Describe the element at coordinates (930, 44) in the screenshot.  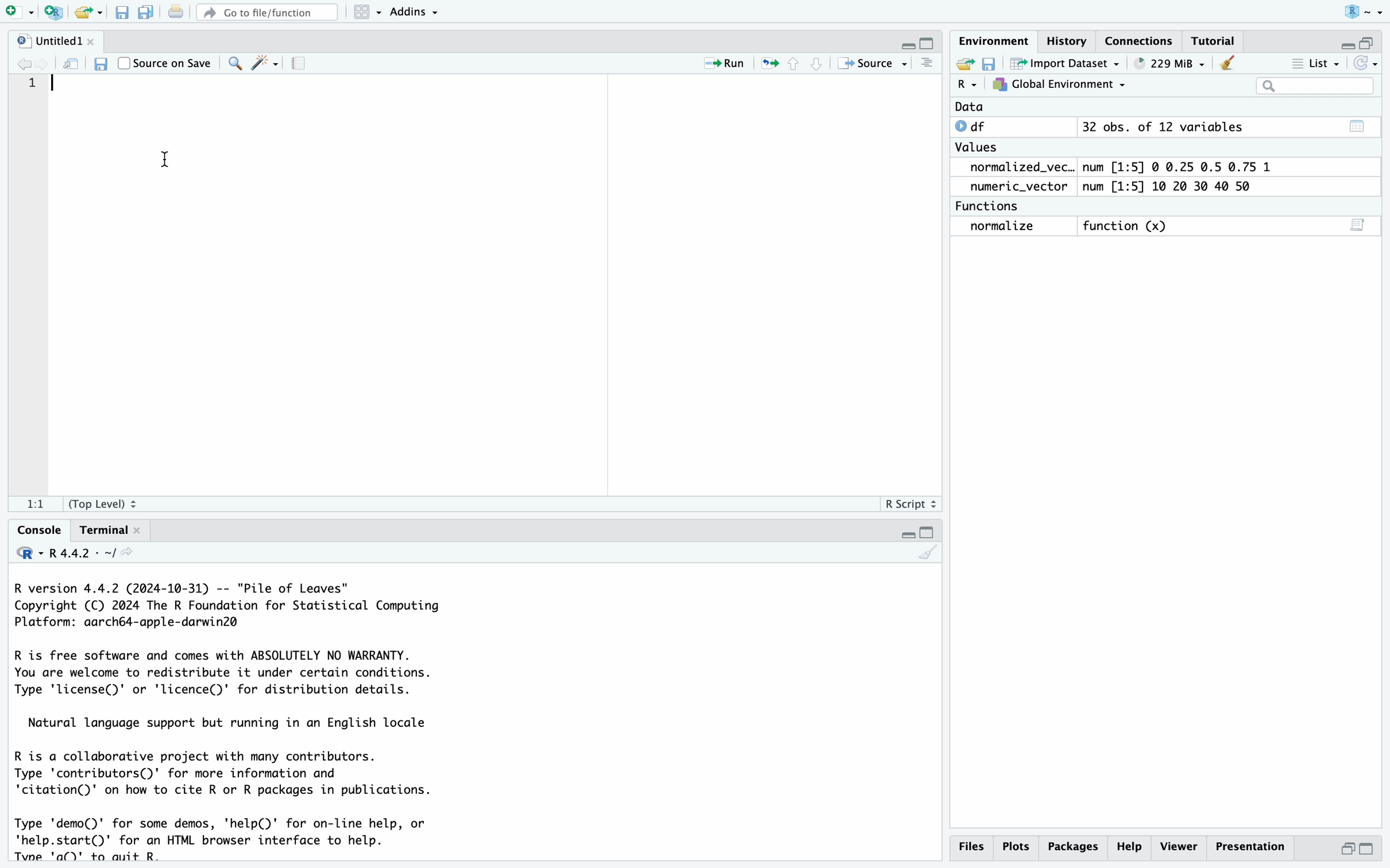
I see `maximize` at that location.